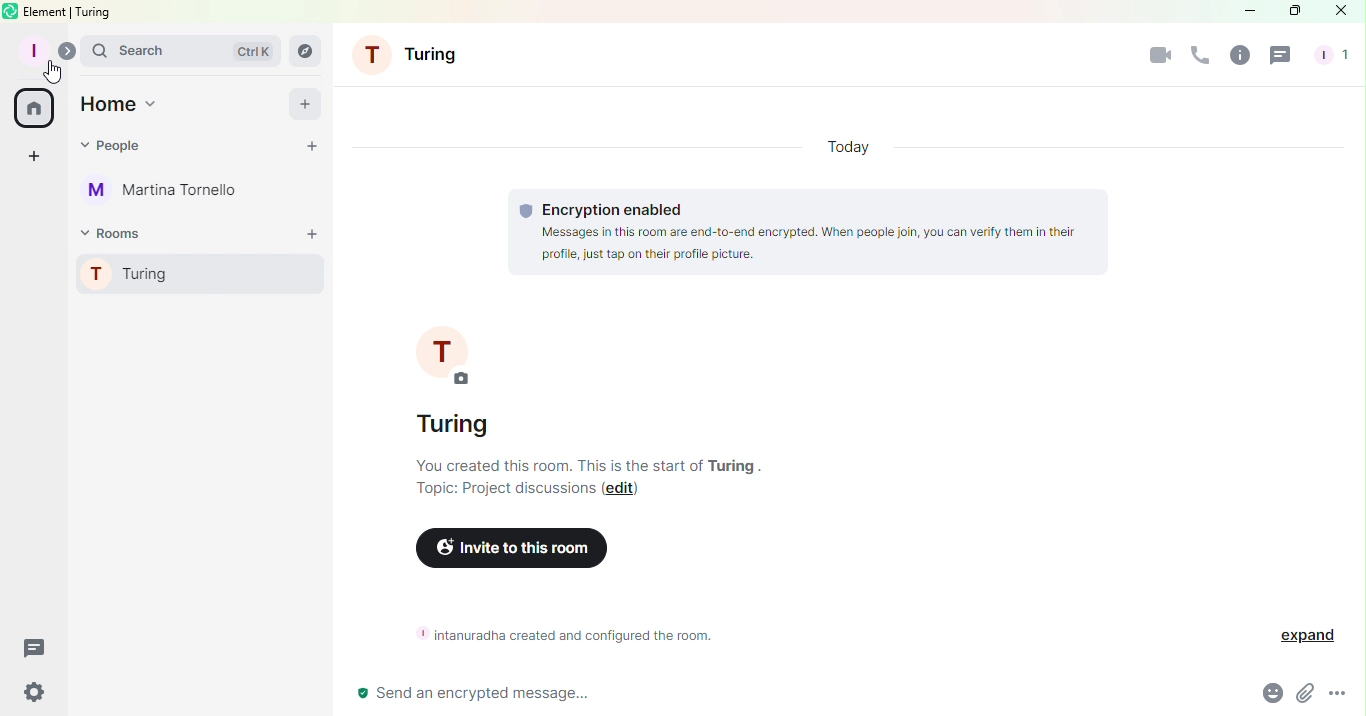  Describe the element at coordinates (34, 696) in the screenshot. I see `Quick settings` at that location.